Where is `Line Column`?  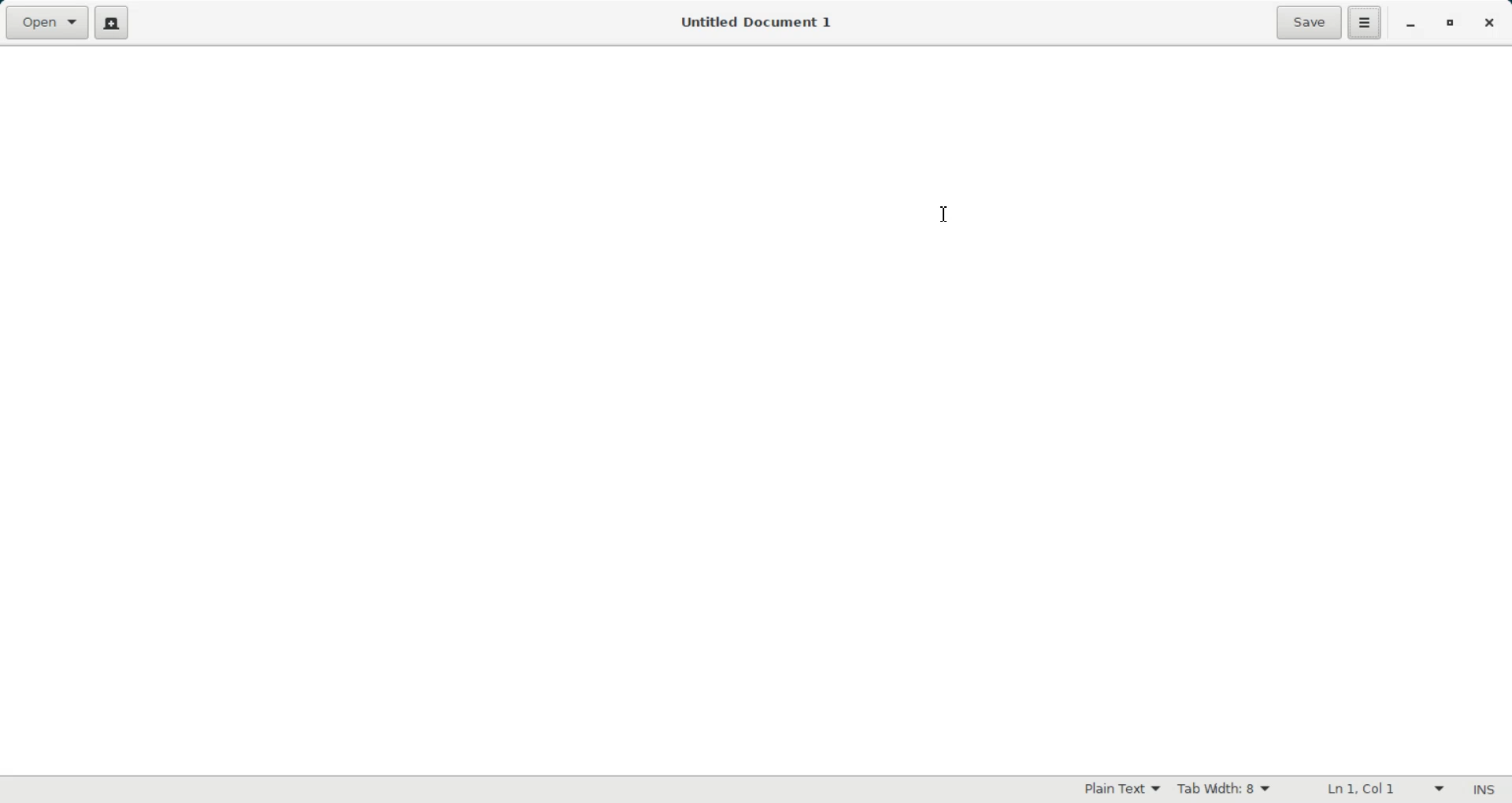 Line Column is located at coordinates (1381, 790).